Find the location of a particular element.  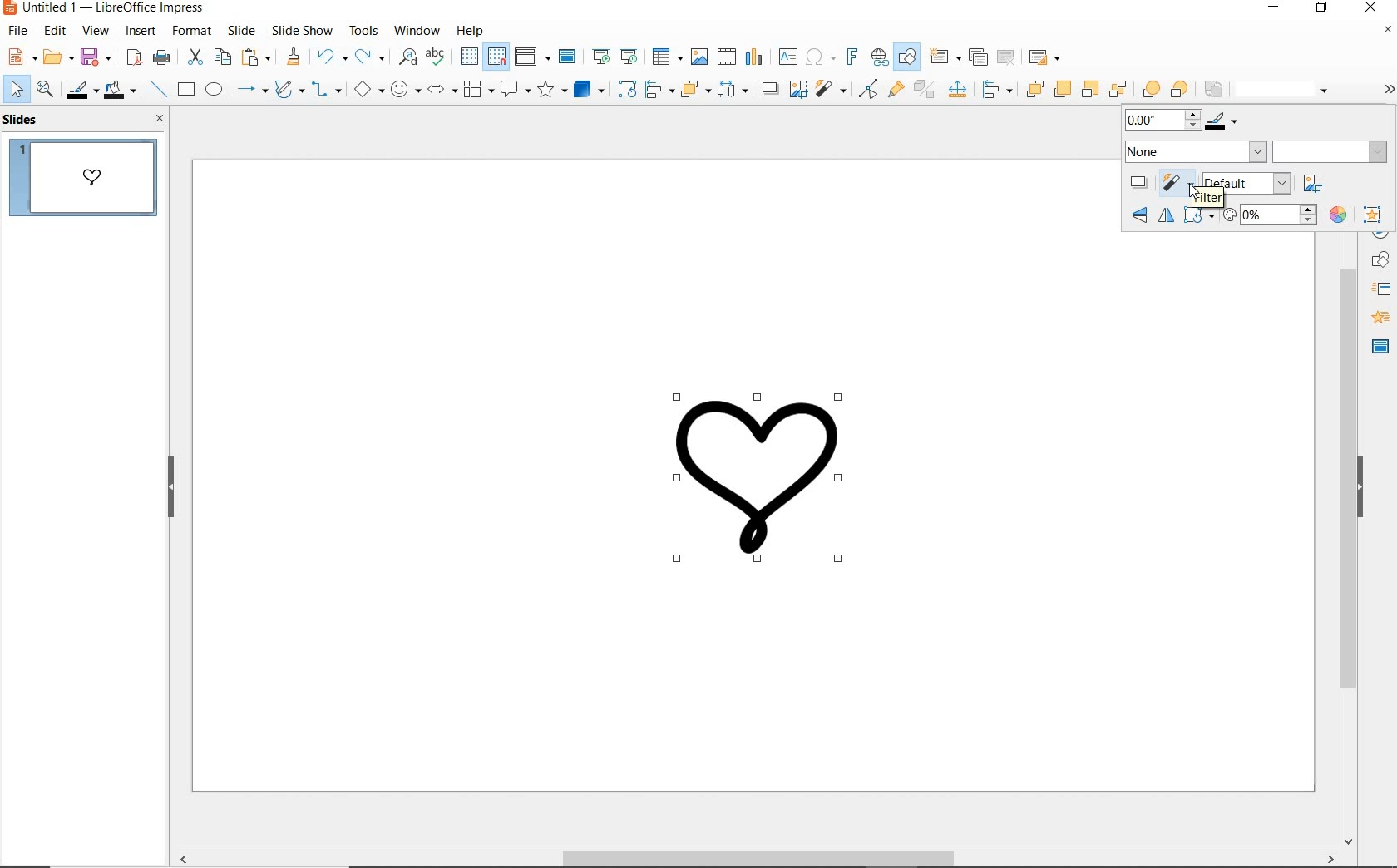

arrange is located at coordinates (693, 90).